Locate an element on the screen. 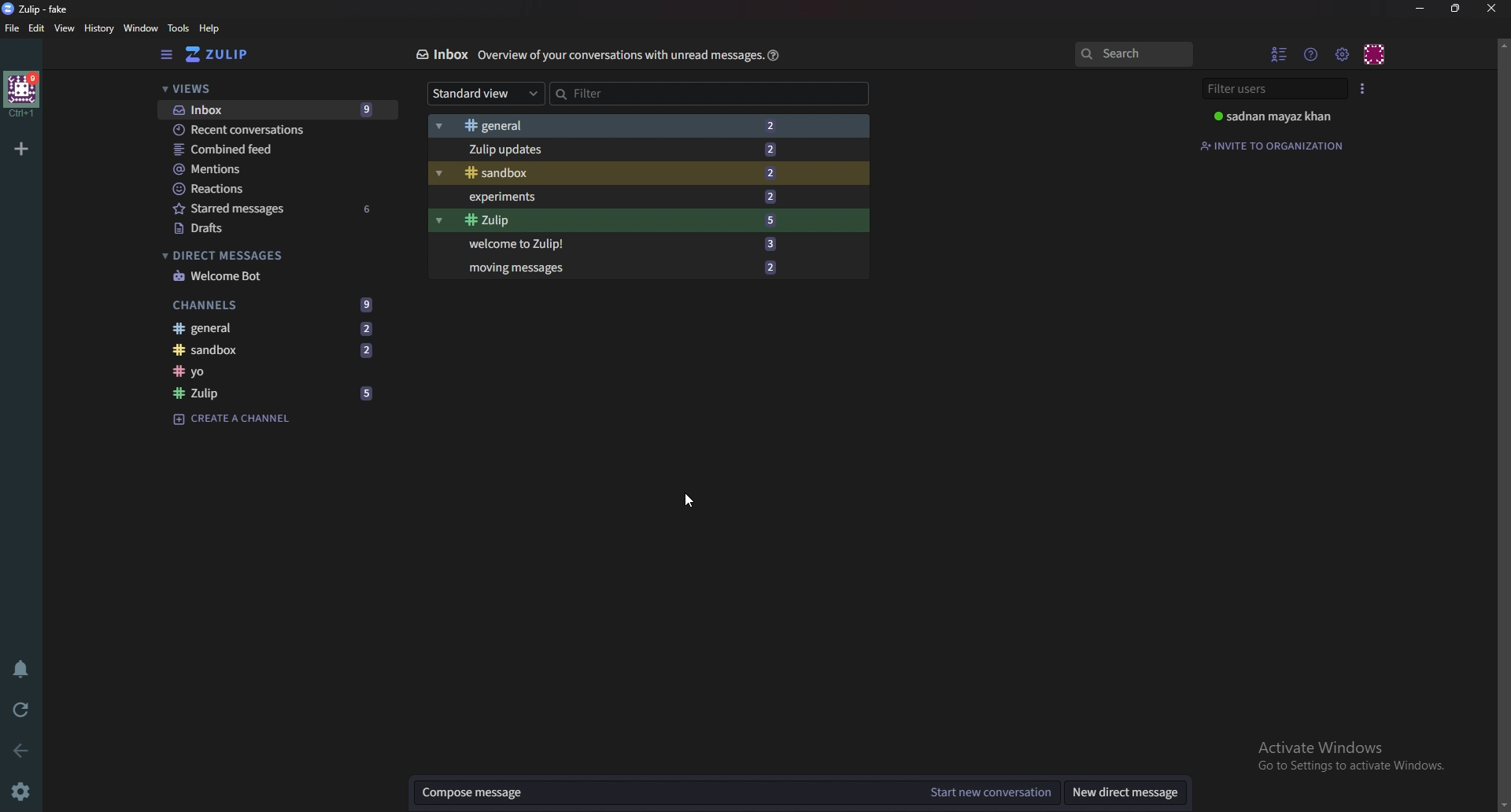 The width and height of the screenshot is (1511, 812). Sandbox is located at coordinates (278, 350).